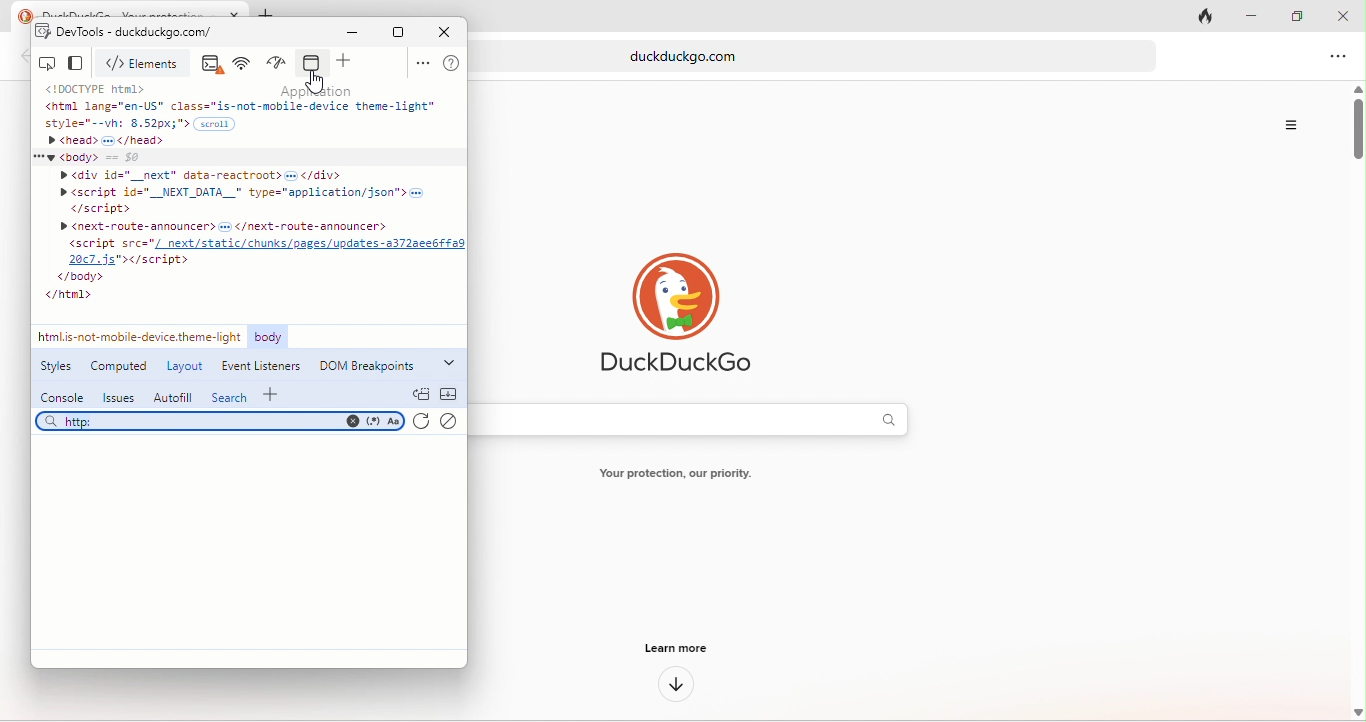 Image resolution: width=1366 pixels, height=722 pixels. Describe the element at coordinates (419, 424) in the screenshot. I see `refresh` at that location.